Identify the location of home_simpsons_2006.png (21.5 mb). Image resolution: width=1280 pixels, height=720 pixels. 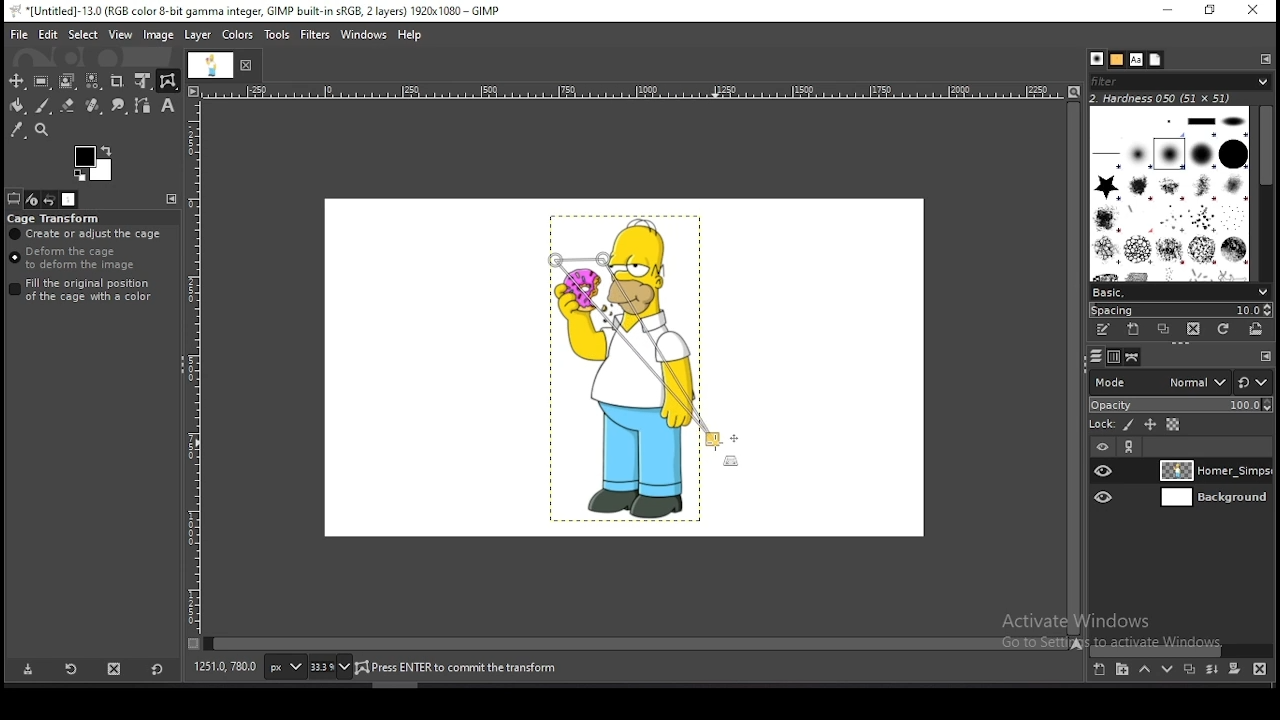
(462, 669).